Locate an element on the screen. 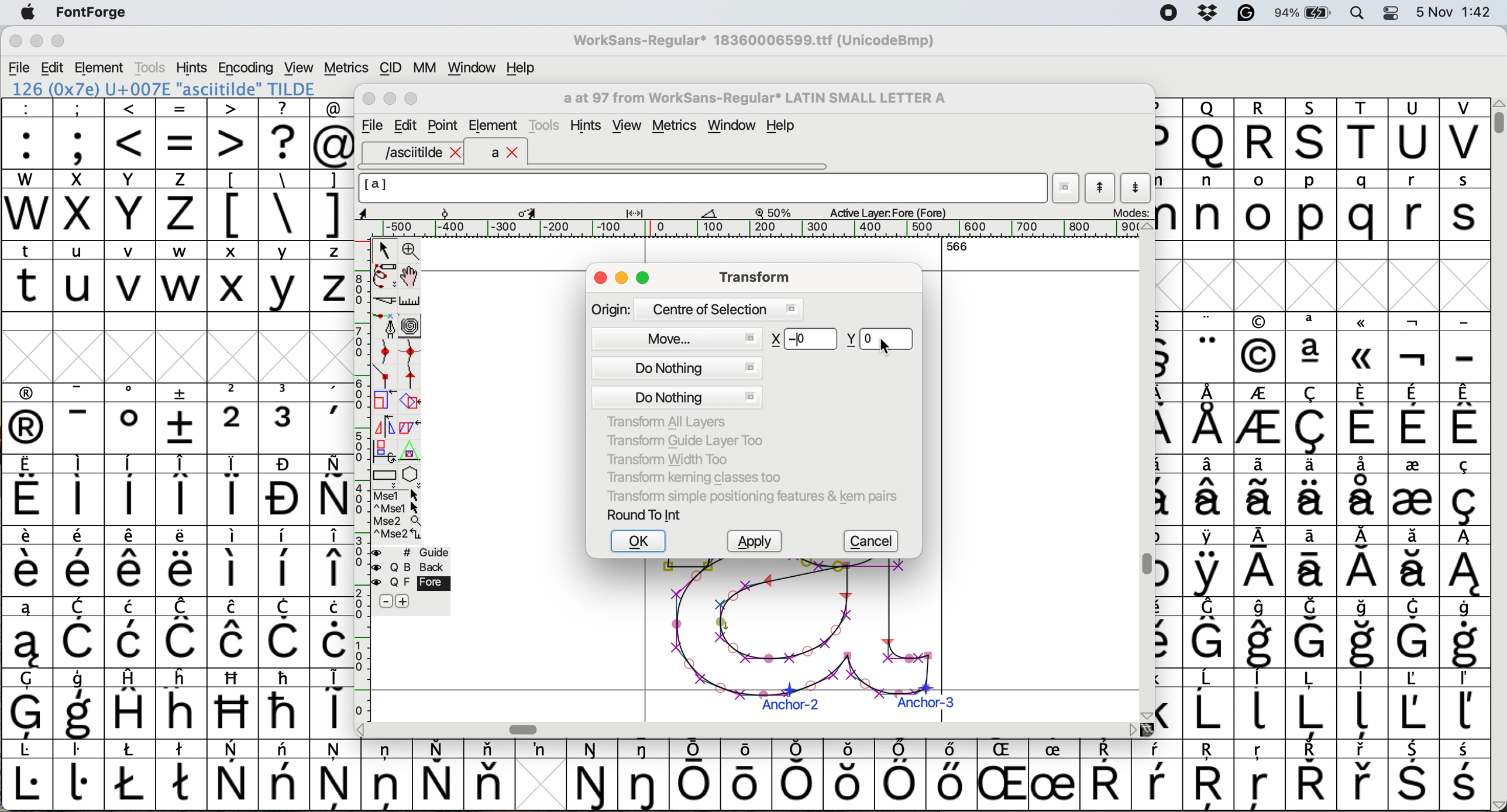 The height and width of the screenshot is (812, 1507). minimise is located at coordinates (35, 42).